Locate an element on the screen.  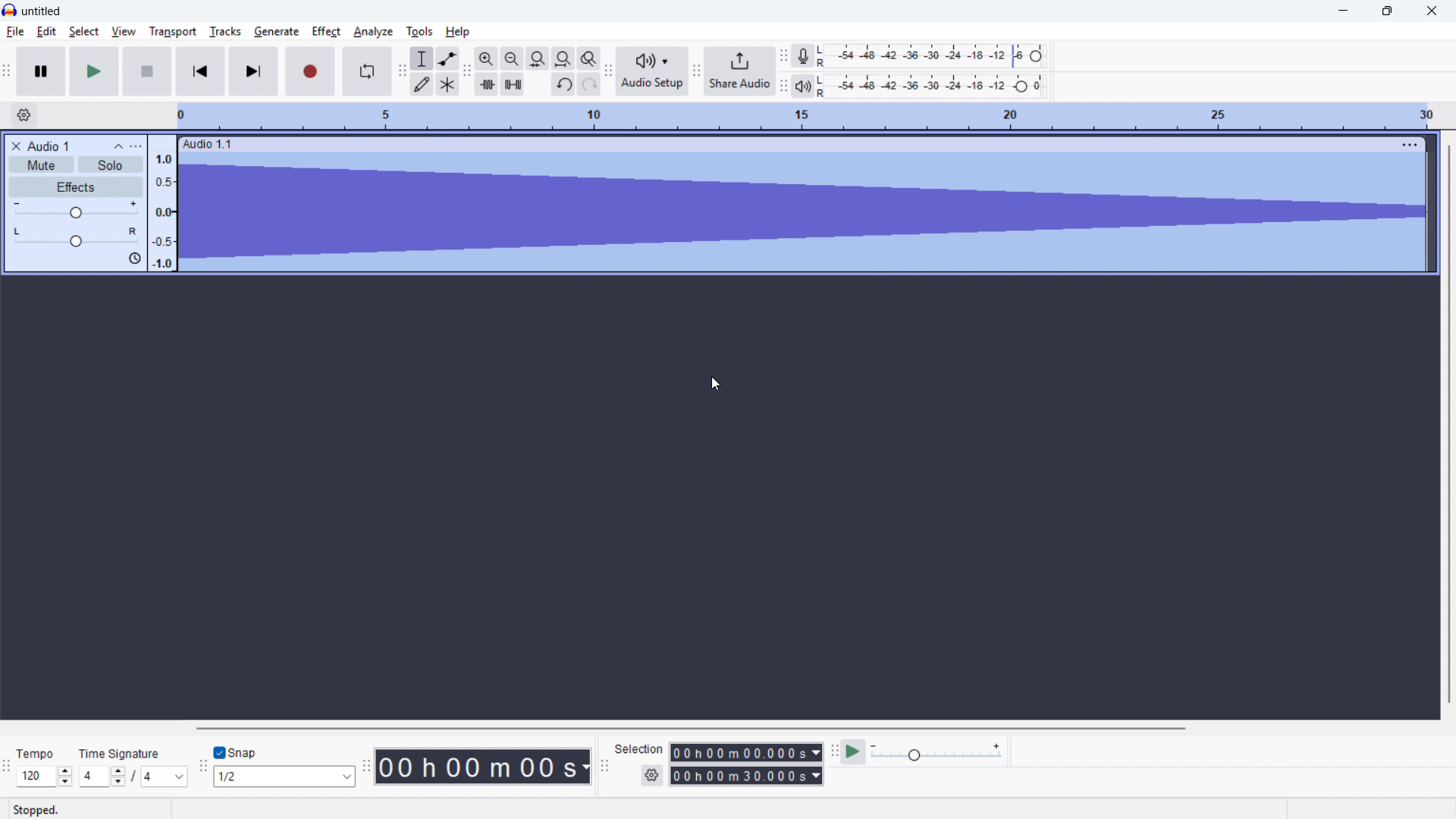
Tools toolbar  is located at coordinates (401, 72).